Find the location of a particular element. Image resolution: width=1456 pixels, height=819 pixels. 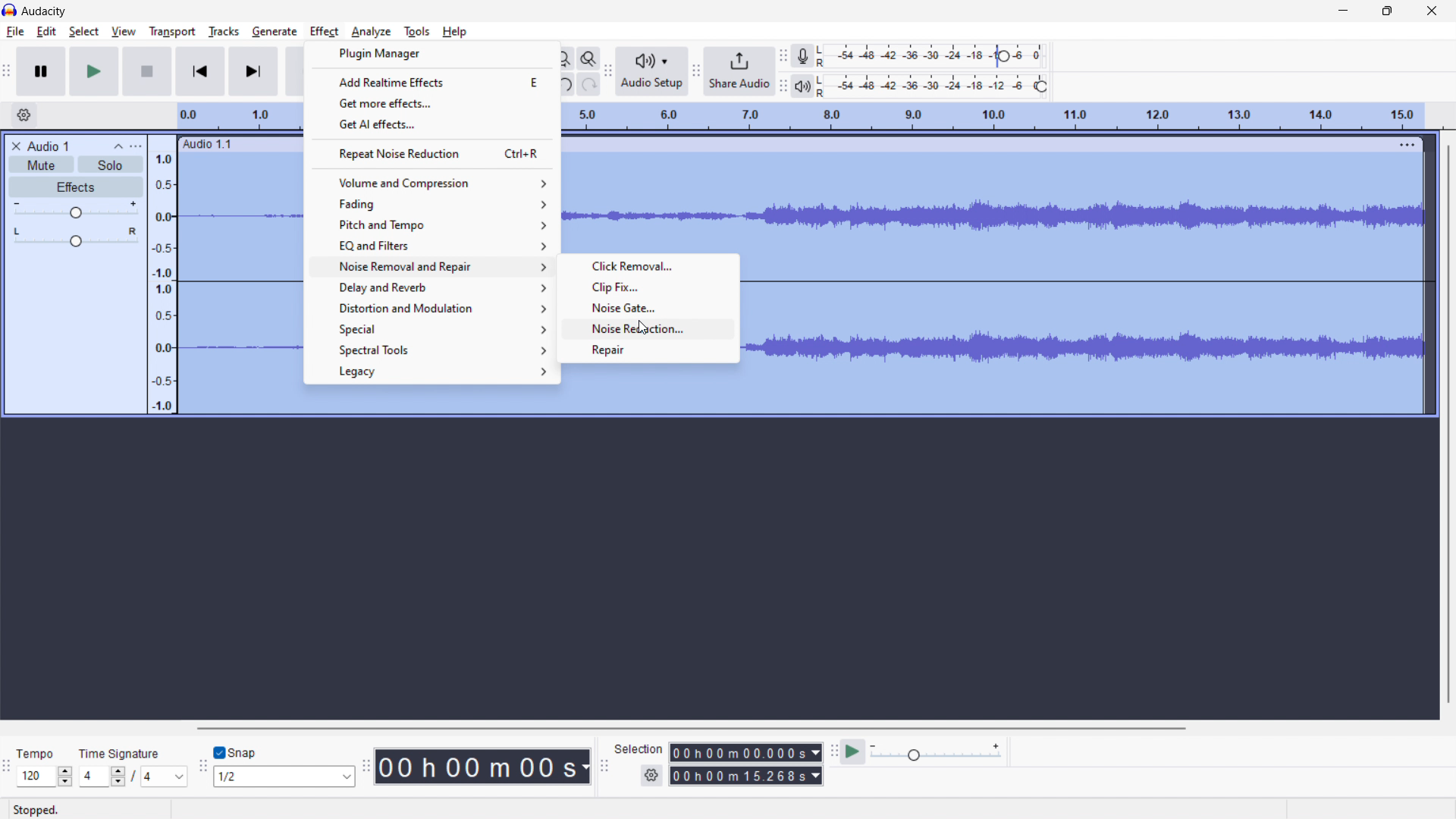

delete audio is located at coordinates (14, 146).